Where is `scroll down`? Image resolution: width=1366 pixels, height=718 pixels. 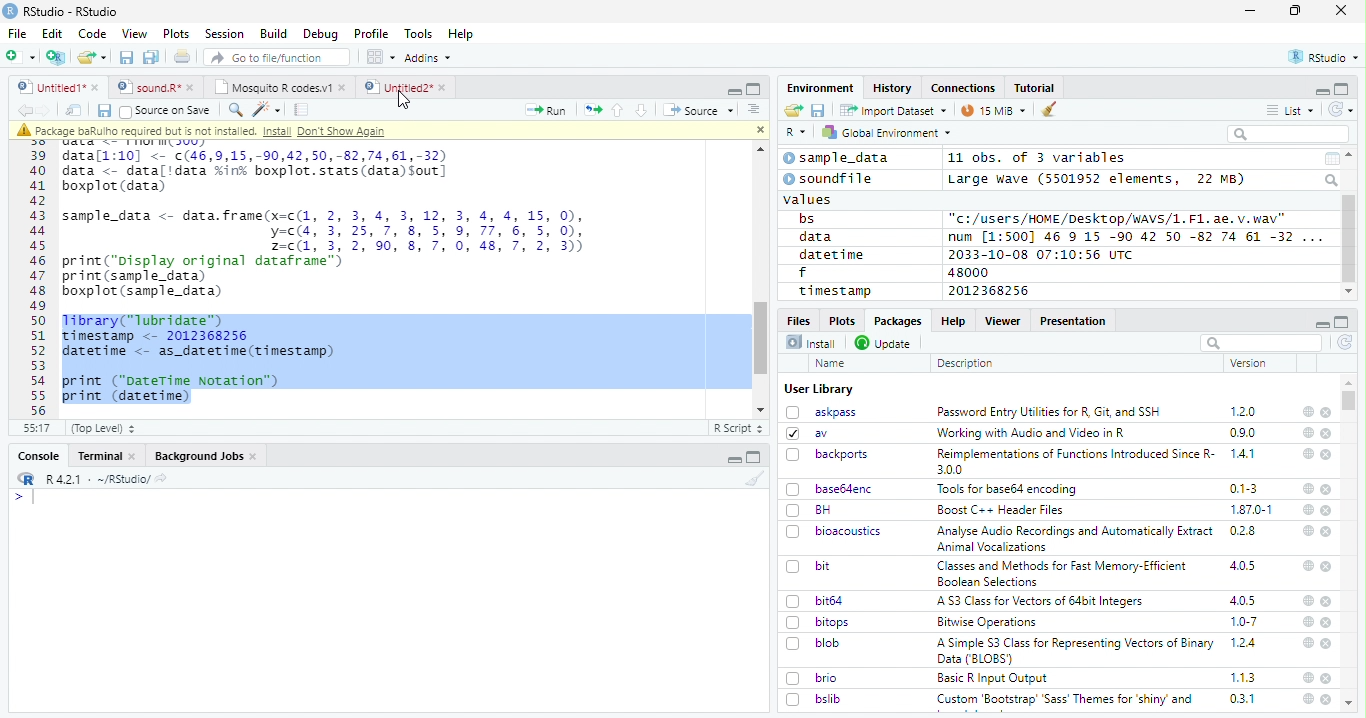 scroll down is located at coordinates (762, 410).